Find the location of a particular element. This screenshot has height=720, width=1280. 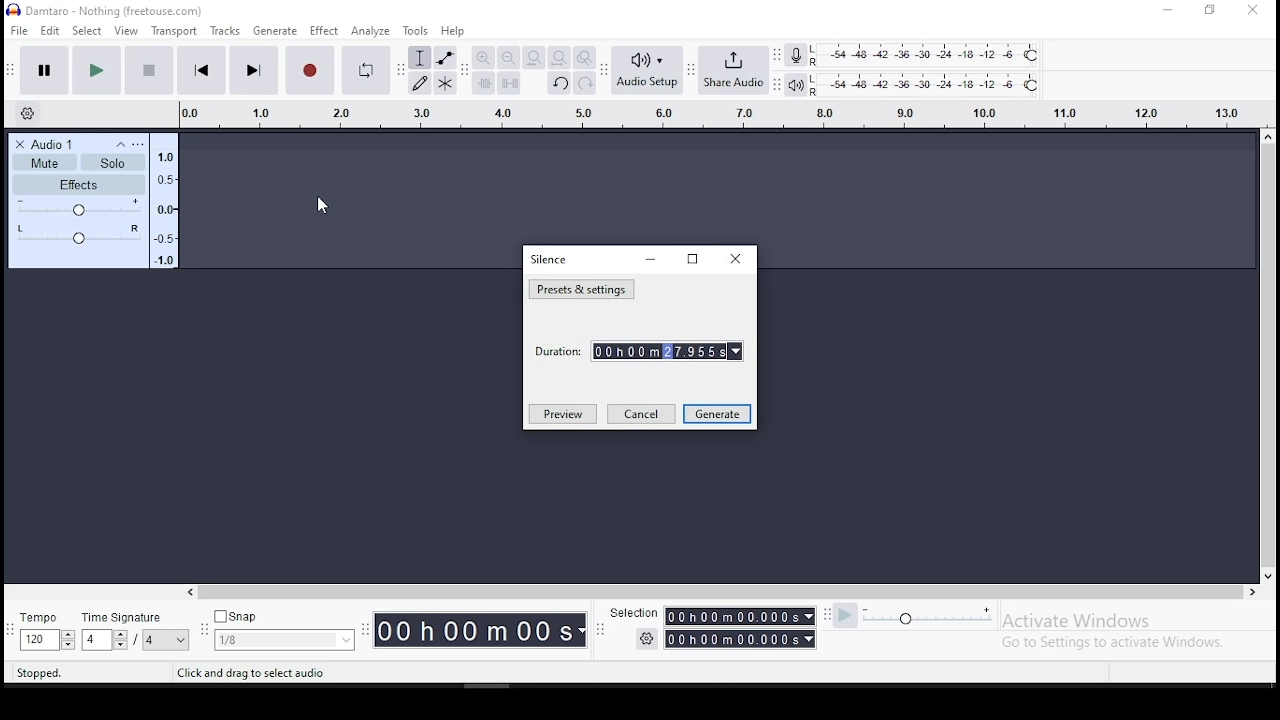

file is located at coordinates (20, 30).